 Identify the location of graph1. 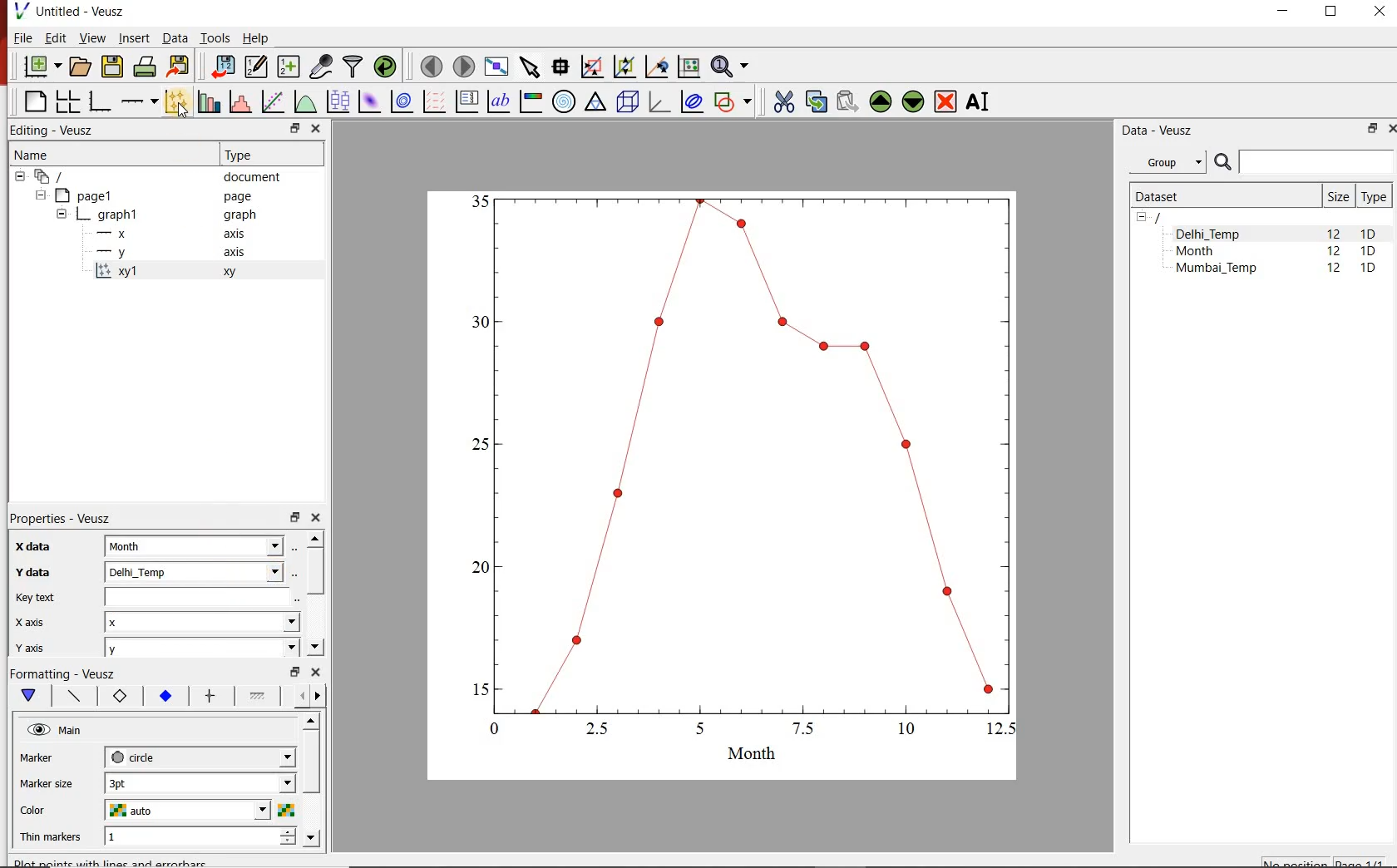
(158, 215).